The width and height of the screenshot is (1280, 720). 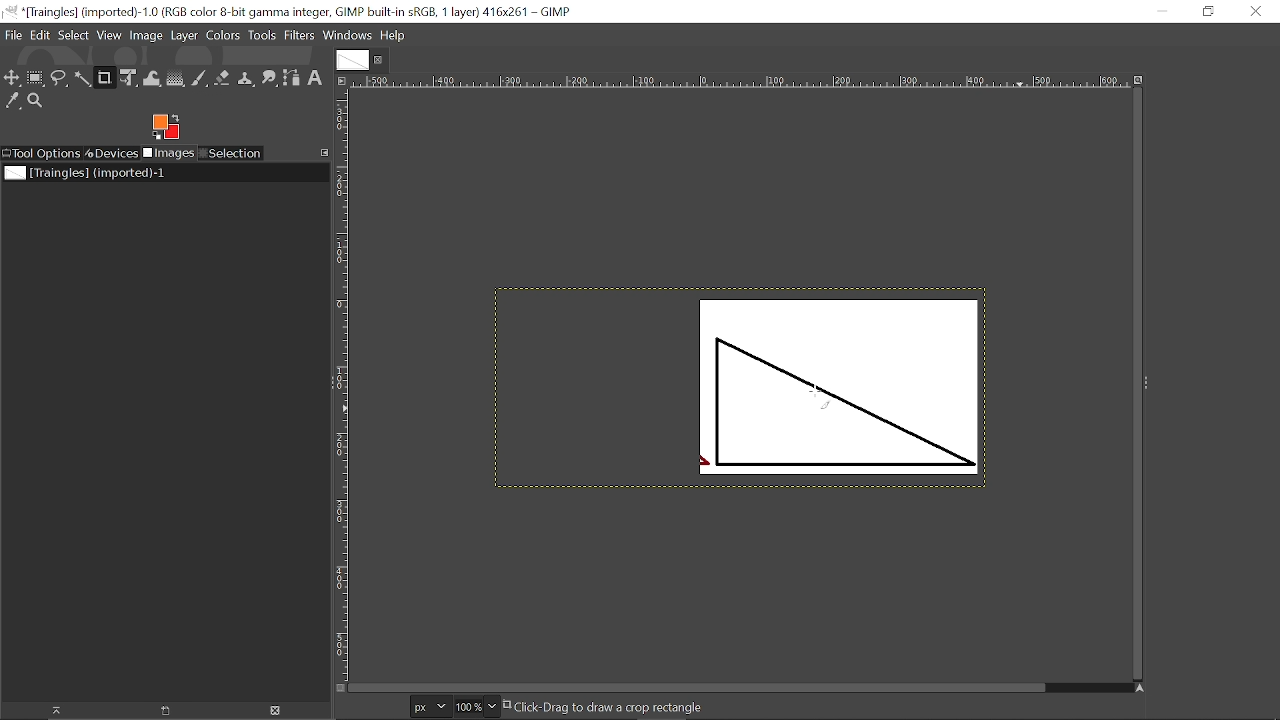 What do you see at coordinates (491, 707) in the screenshot?
I see `Zoom options` at bounding box center [491, 707].